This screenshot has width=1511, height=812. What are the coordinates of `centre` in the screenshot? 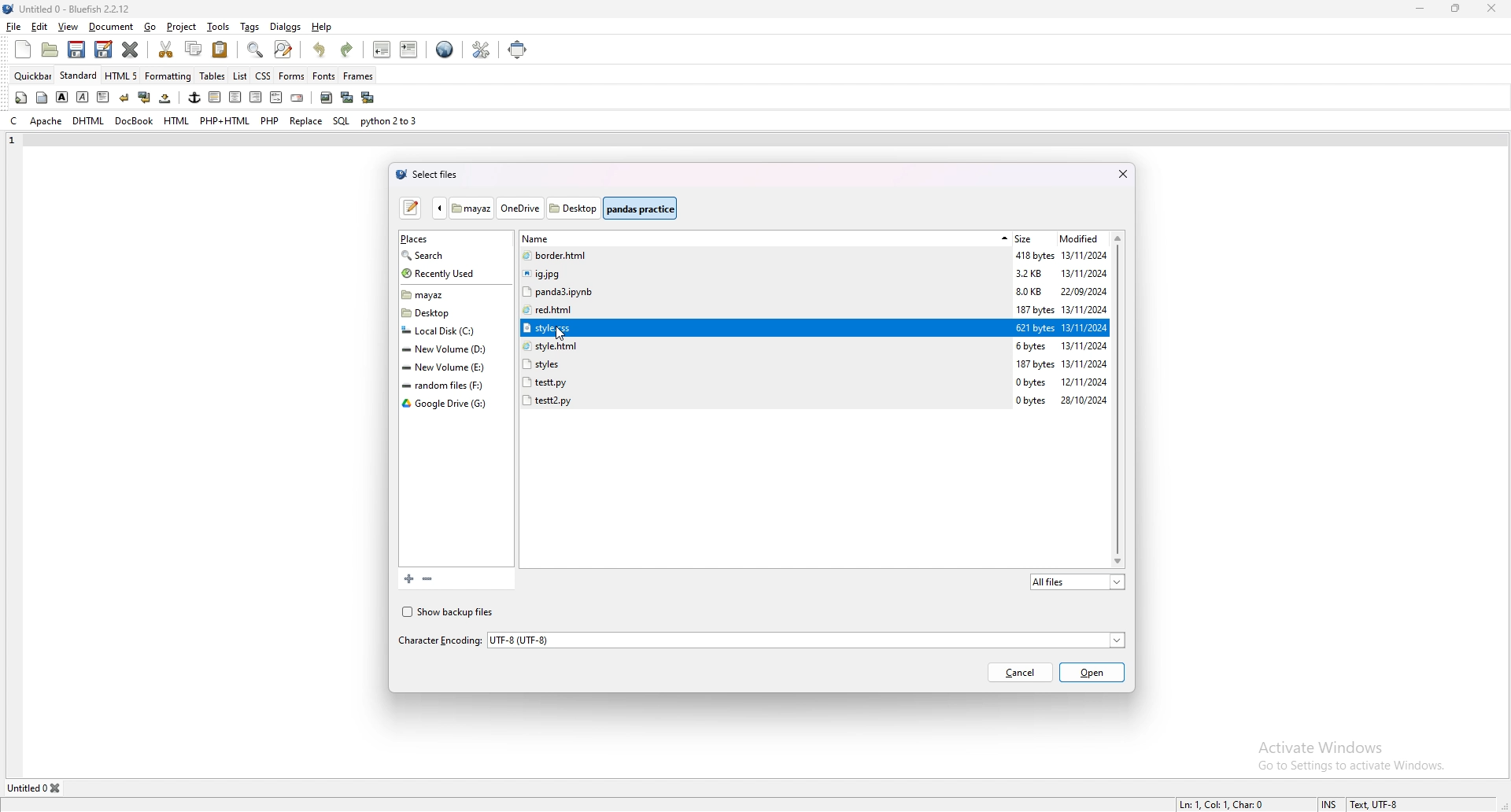 It's located at (235, 96).